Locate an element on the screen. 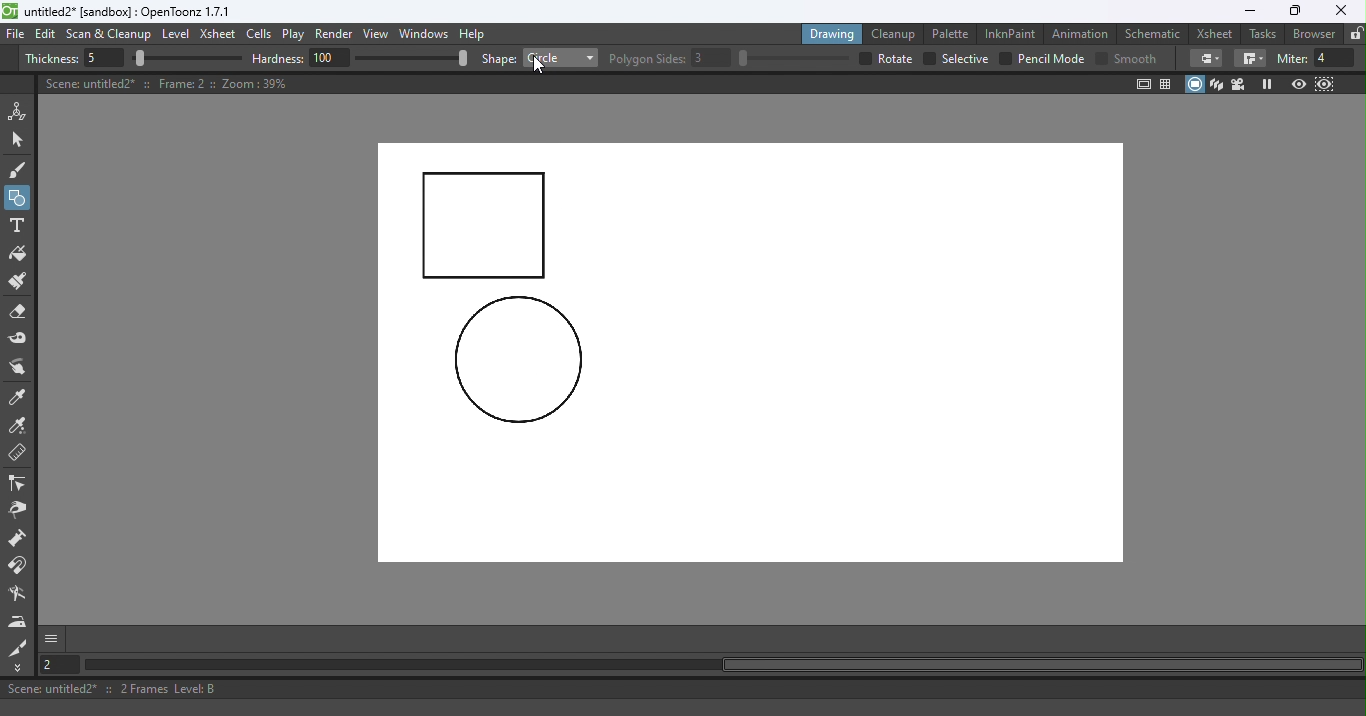  Finger tool is located at coordinates (18, 369).